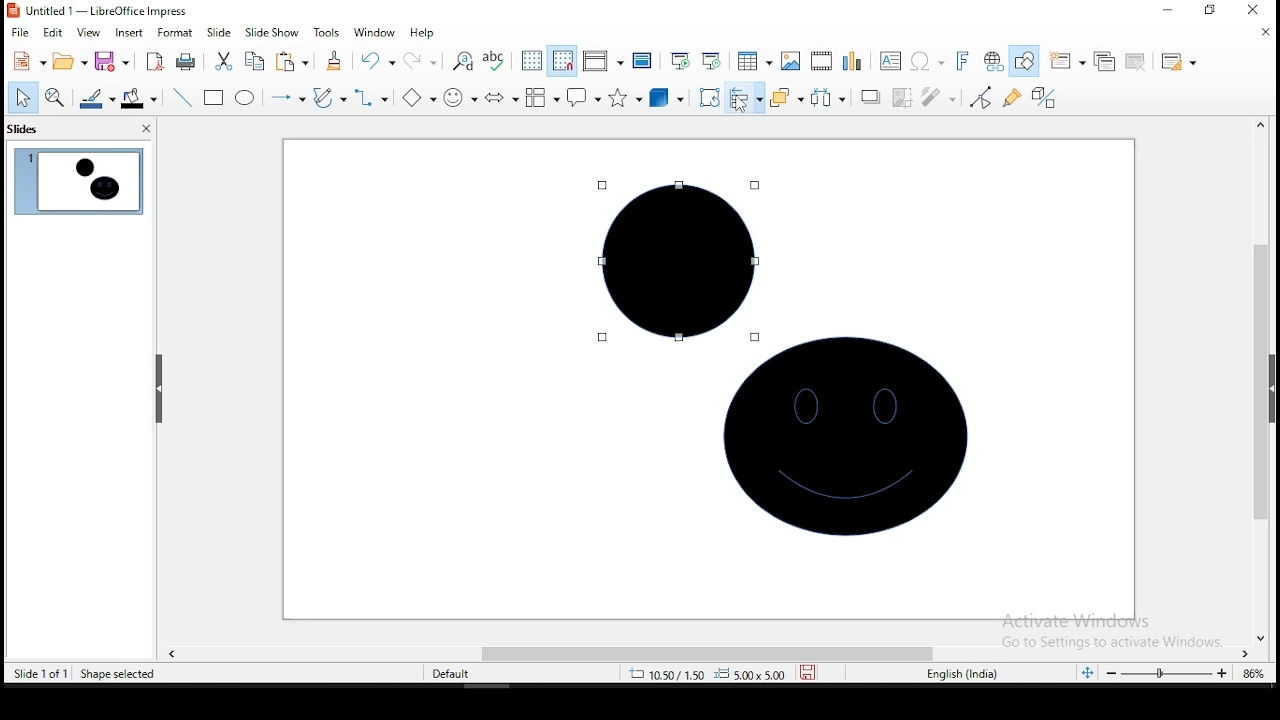 This screenshot has height=720, width=1280. What do you see at coordinates (703, 651) in the screenshot?
I see `scroll bar` at bounding box center [703, 651].